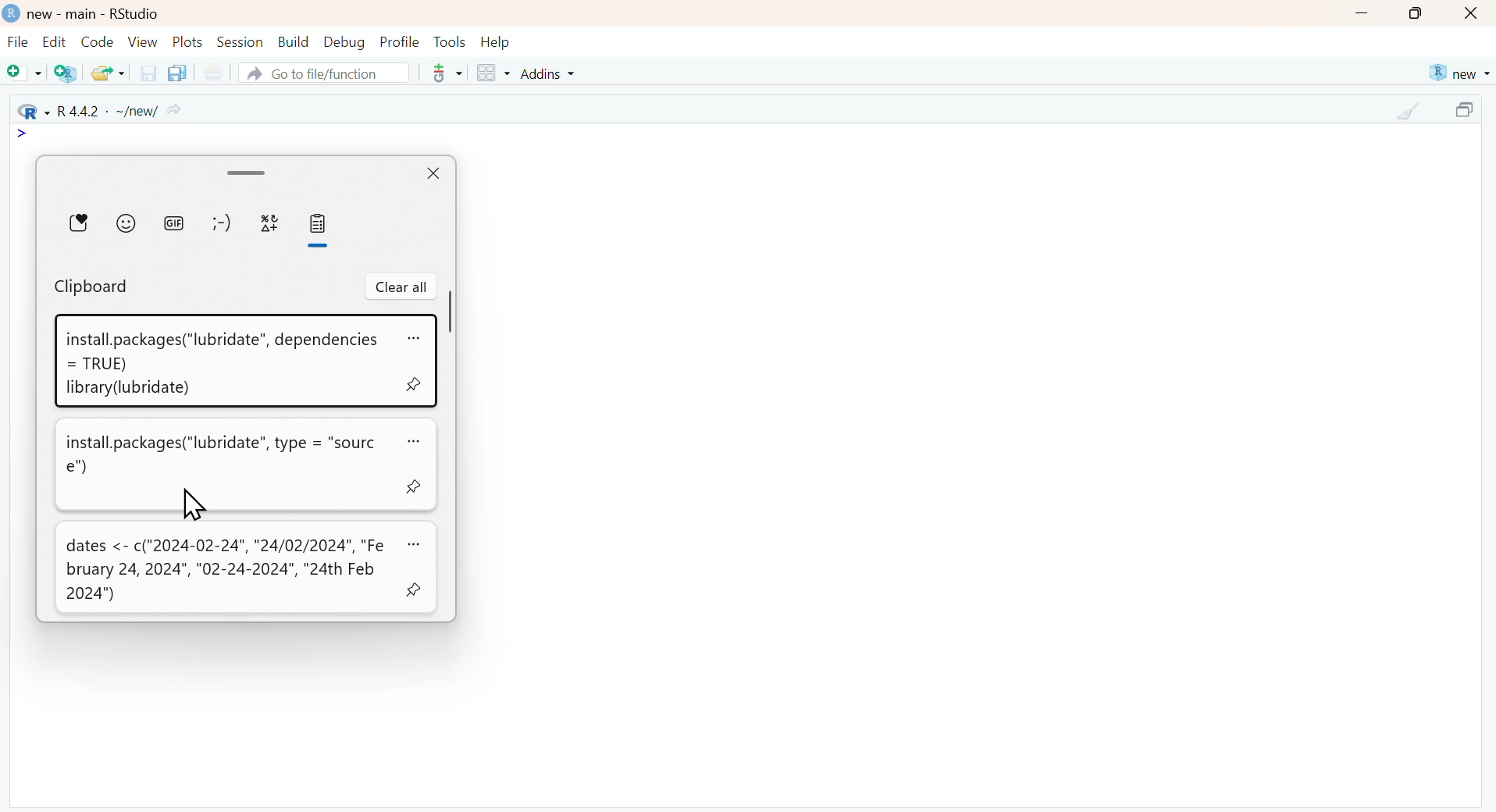 This screenshot has width=1496, height=812. Describe the element at coordinates (95, 14) in the screenshot. I see `new - main - RStudio` at that location.